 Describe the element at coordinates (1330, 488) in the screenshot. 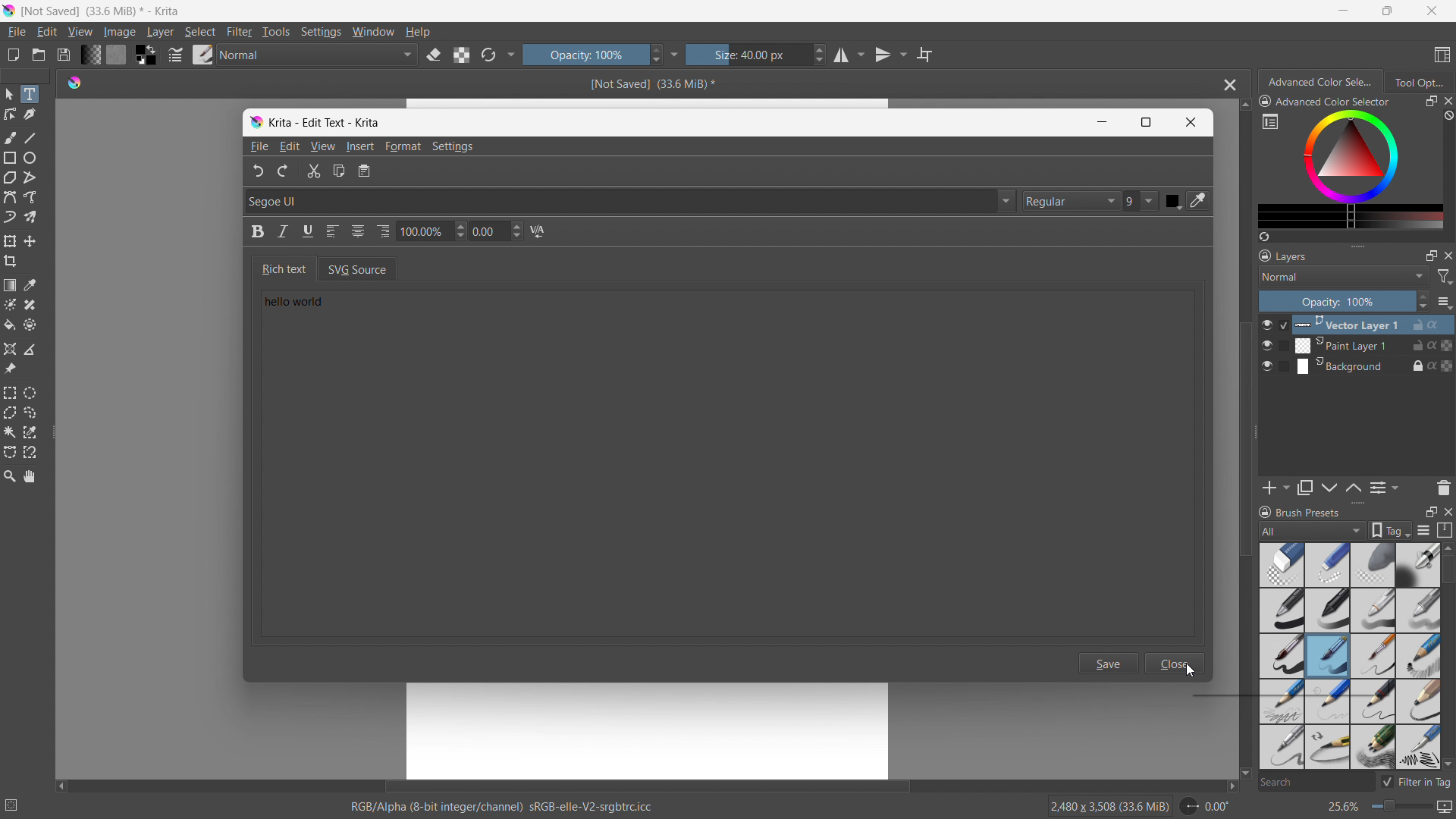

I see `move layer up` at that location.